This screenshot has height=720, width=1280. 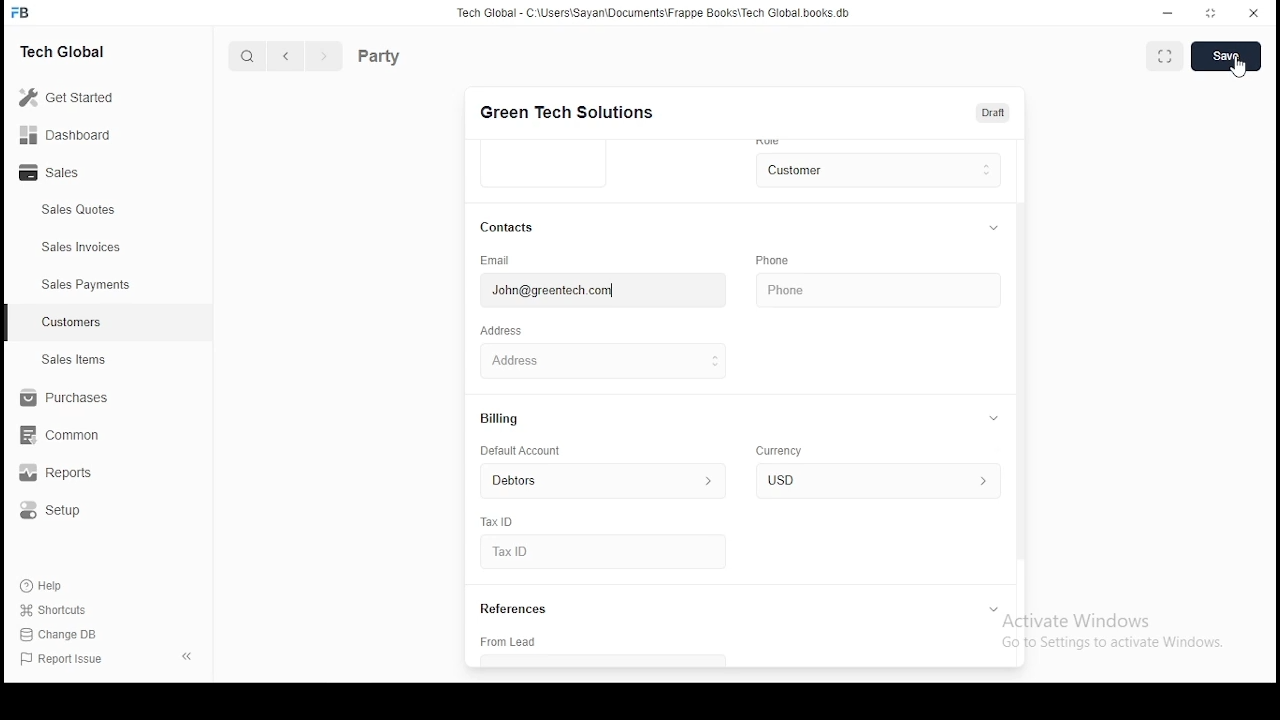 What do you see at coordinates (81, 210) in the screenshot?
I see `sales quotes` at bounding box center [81, 210].